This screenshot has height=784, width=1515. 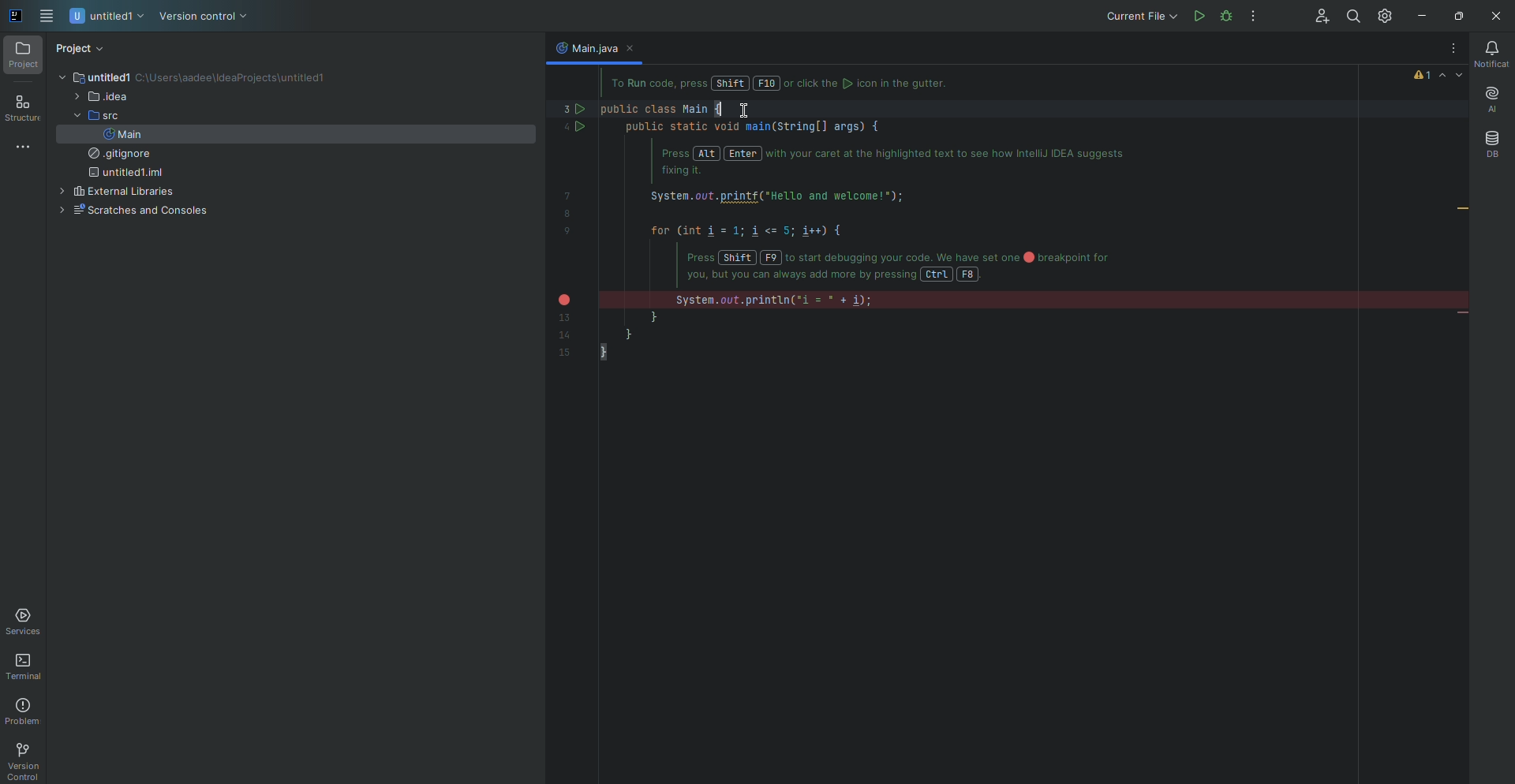 What do you see at coordinates (1493, 17) in the screenshot?
I see `Close` at bounding box center [1493, 17].